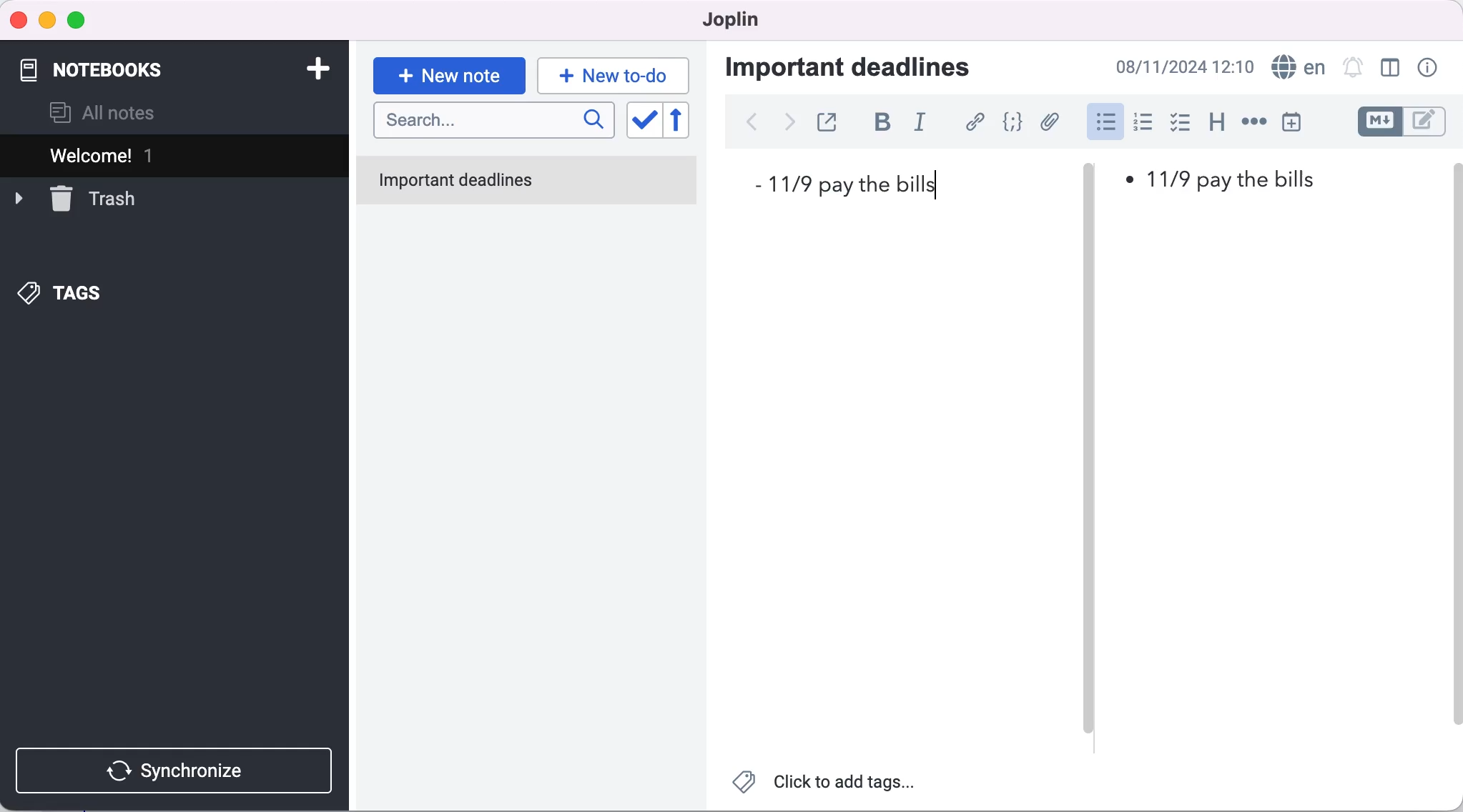  What do you see at coordinates (617, 75) in the screenshot?
I see `new to-do` at bounding box center [617, 75].